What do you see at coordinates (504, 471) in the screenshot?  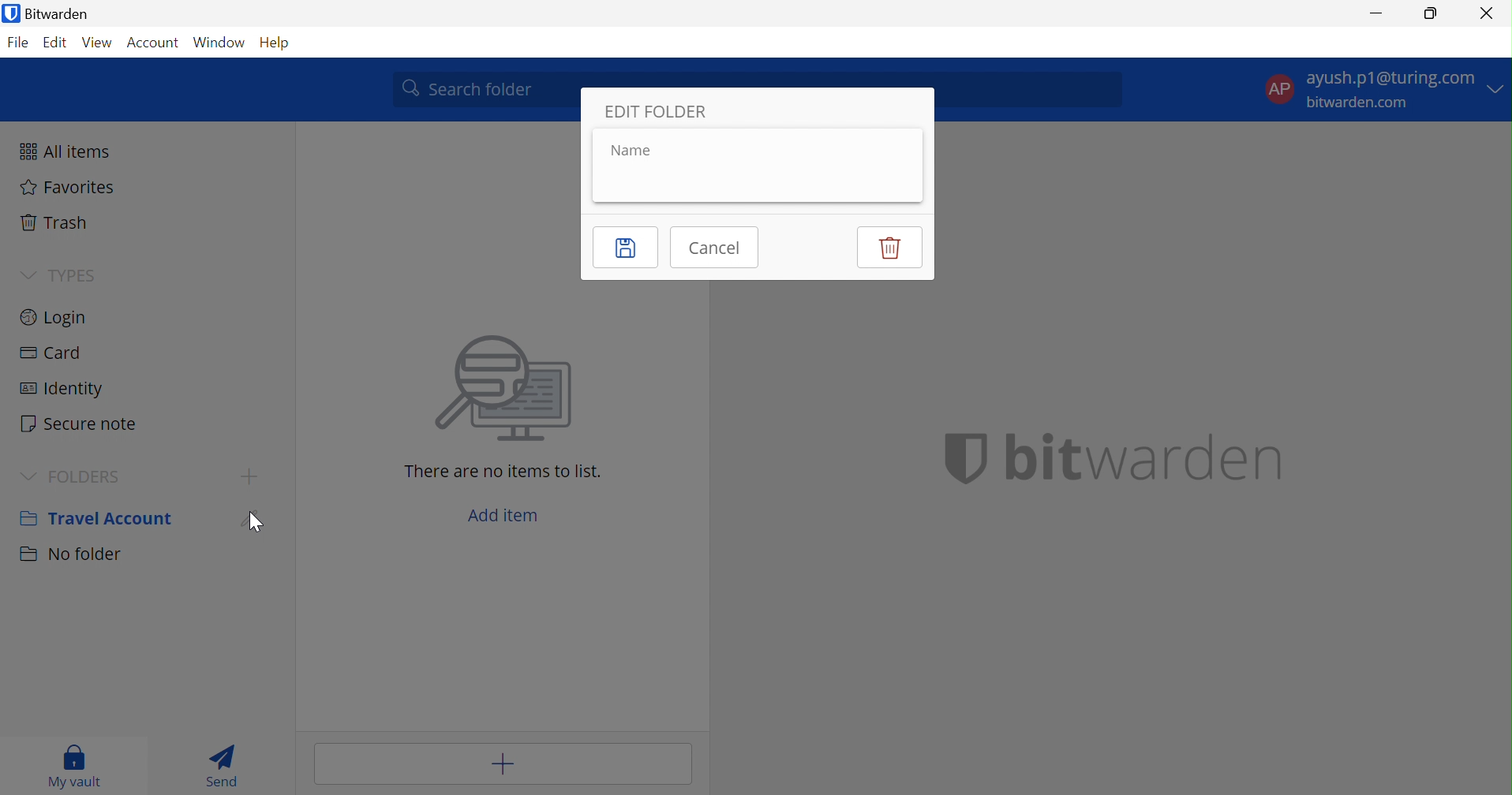 I see `There are no items to list` at bounding box center [504, 471].